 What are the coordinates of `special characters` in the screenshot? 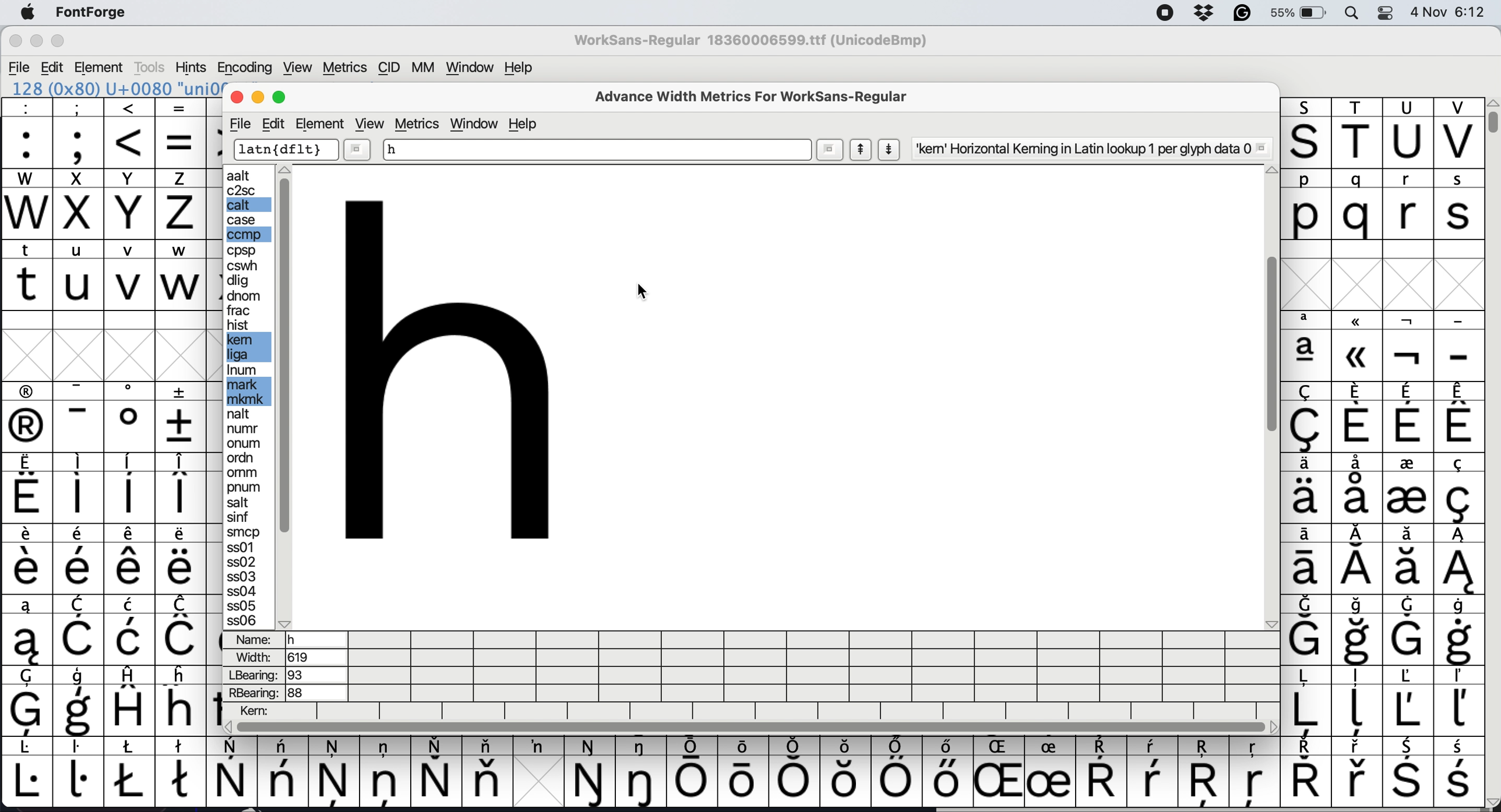 It's located at (1394, 352).